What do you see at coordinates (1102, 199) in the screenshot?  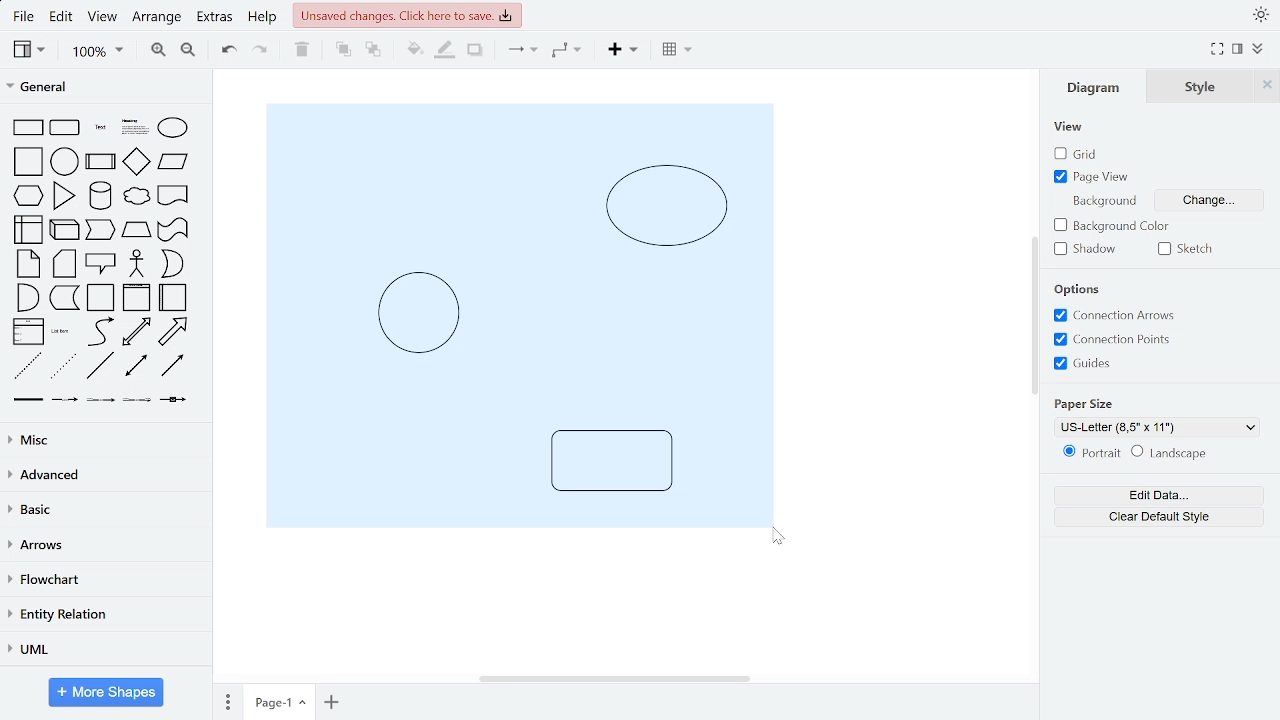 I see `background` at bounding box center [1102, 199].